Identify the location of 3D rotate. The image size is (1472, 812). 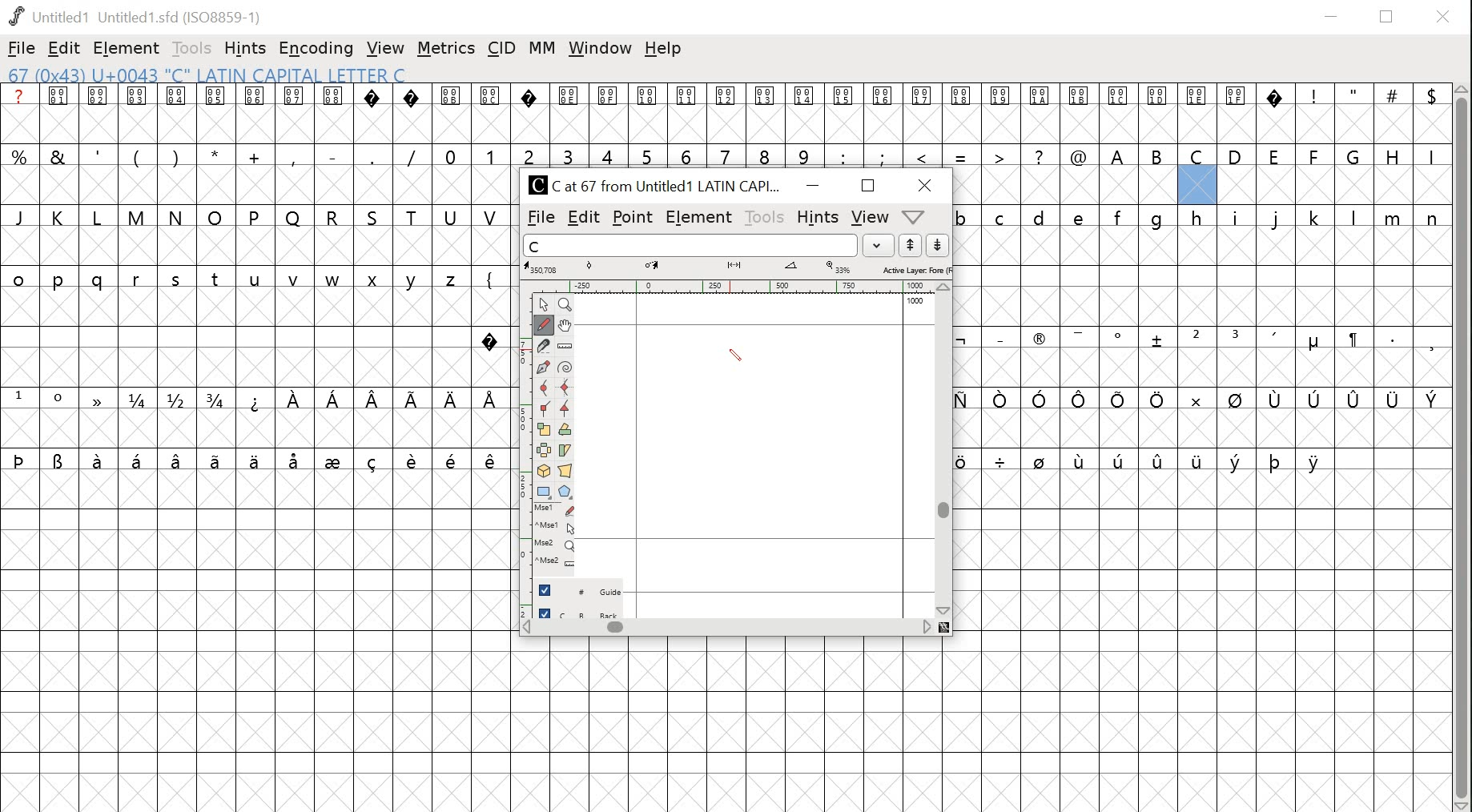
(546, 472).